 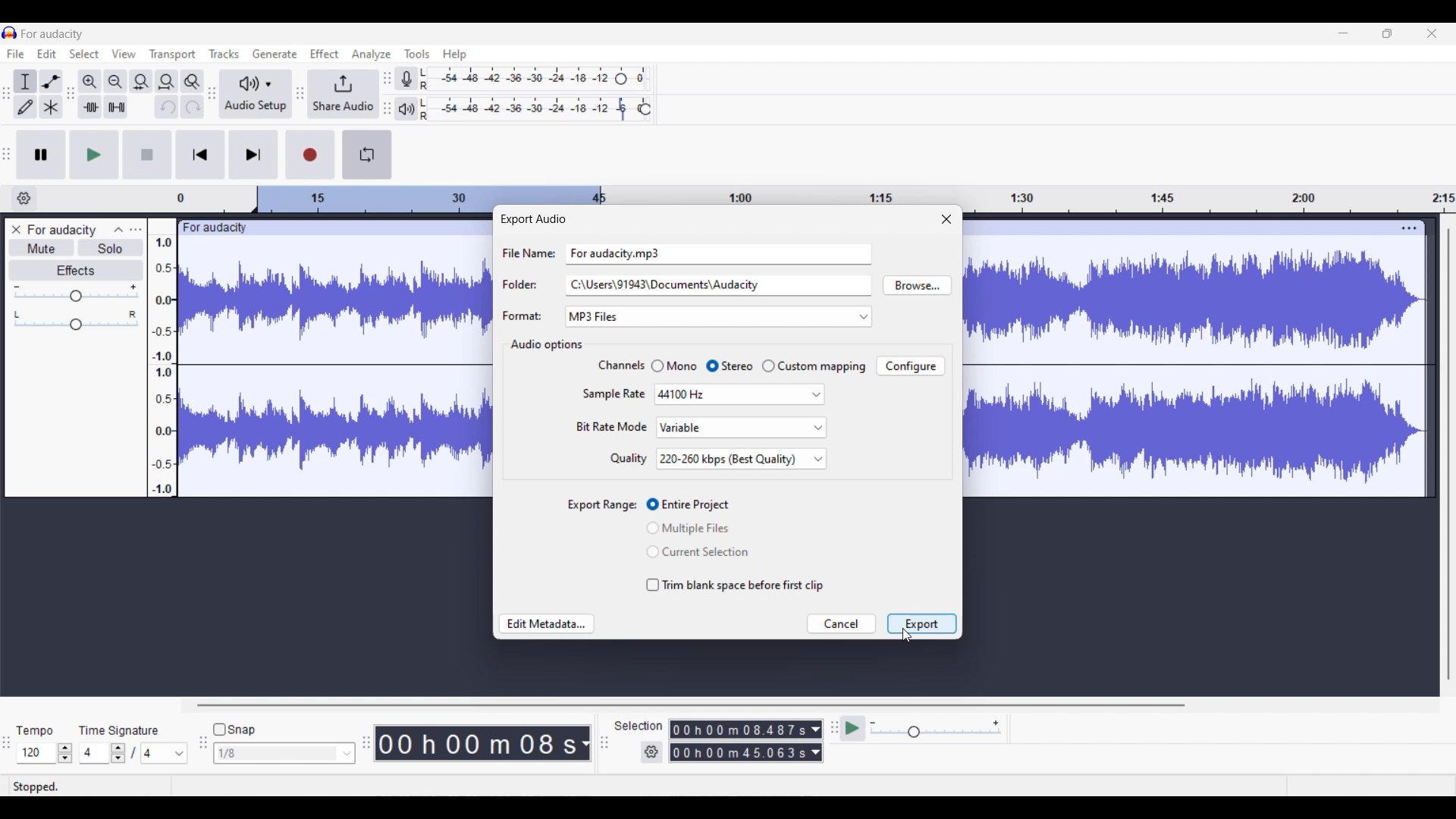 I want to click on Indicates toggle settings for export range, so click(x=603, y=506).